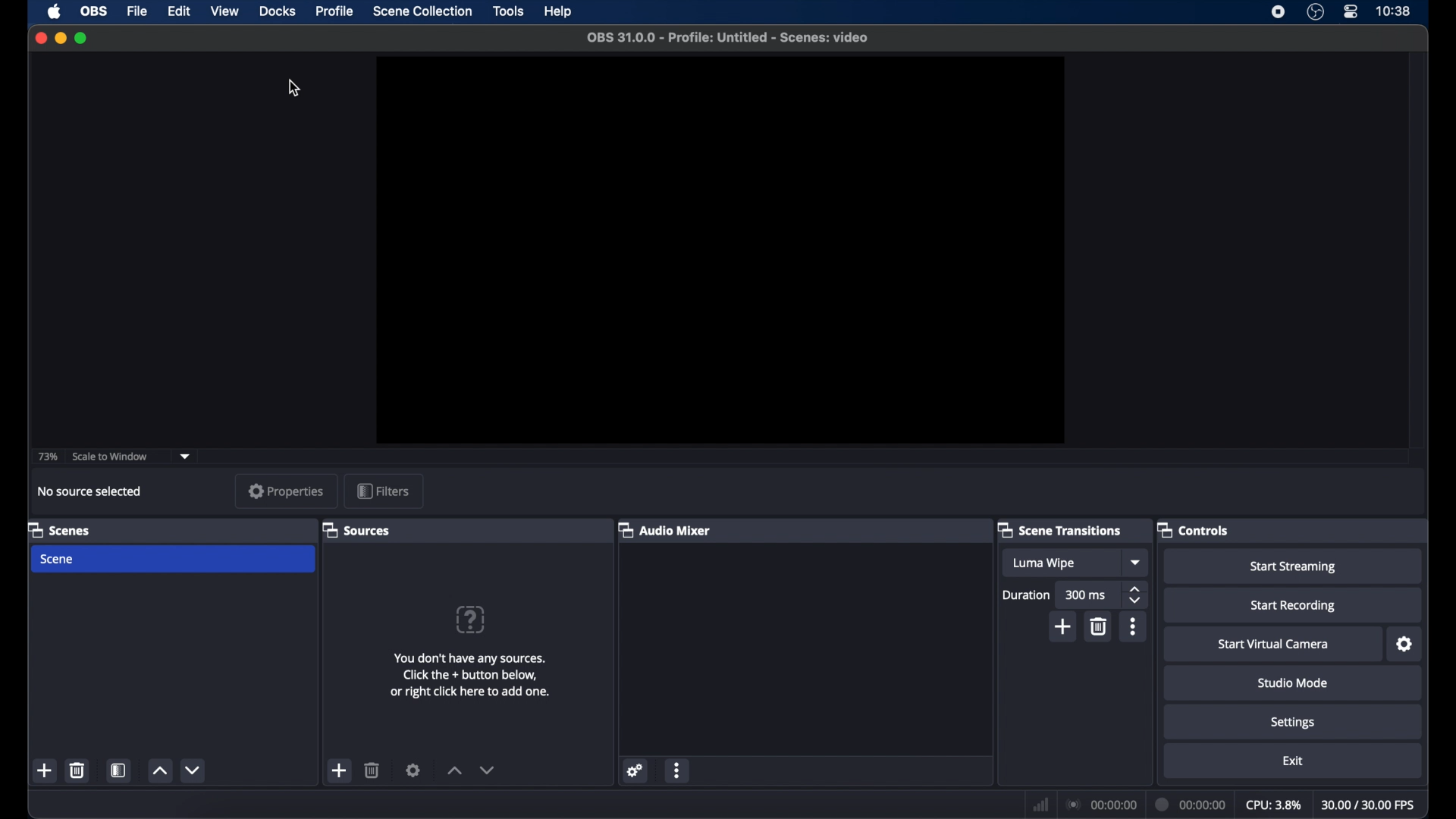 The image size is (1456, 819). Describe the element at coordinates (177, 11) in the screenshot. I see `edit` at that location.